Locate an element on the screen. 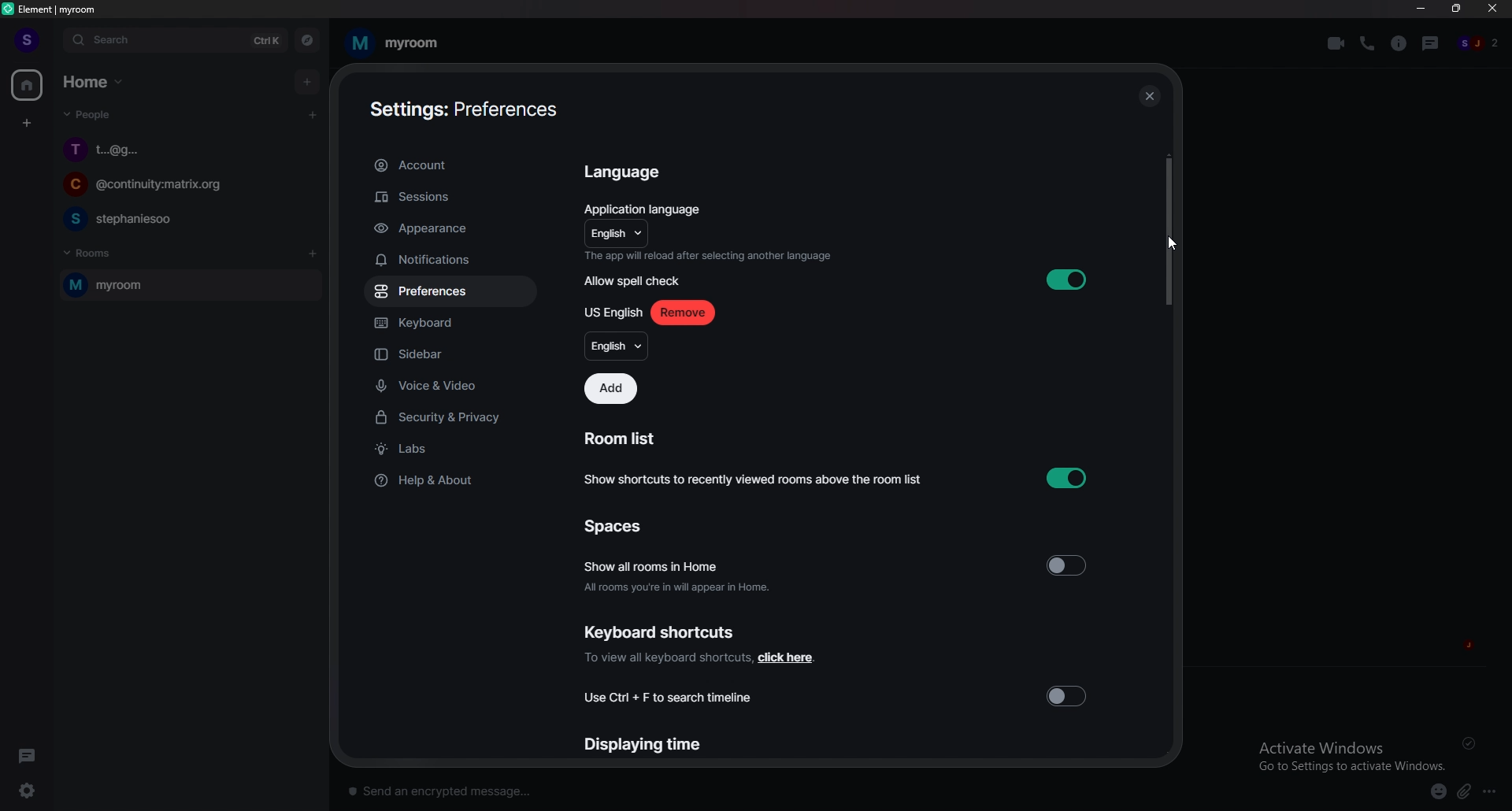  sidebar is located at coordinates (455, 356).